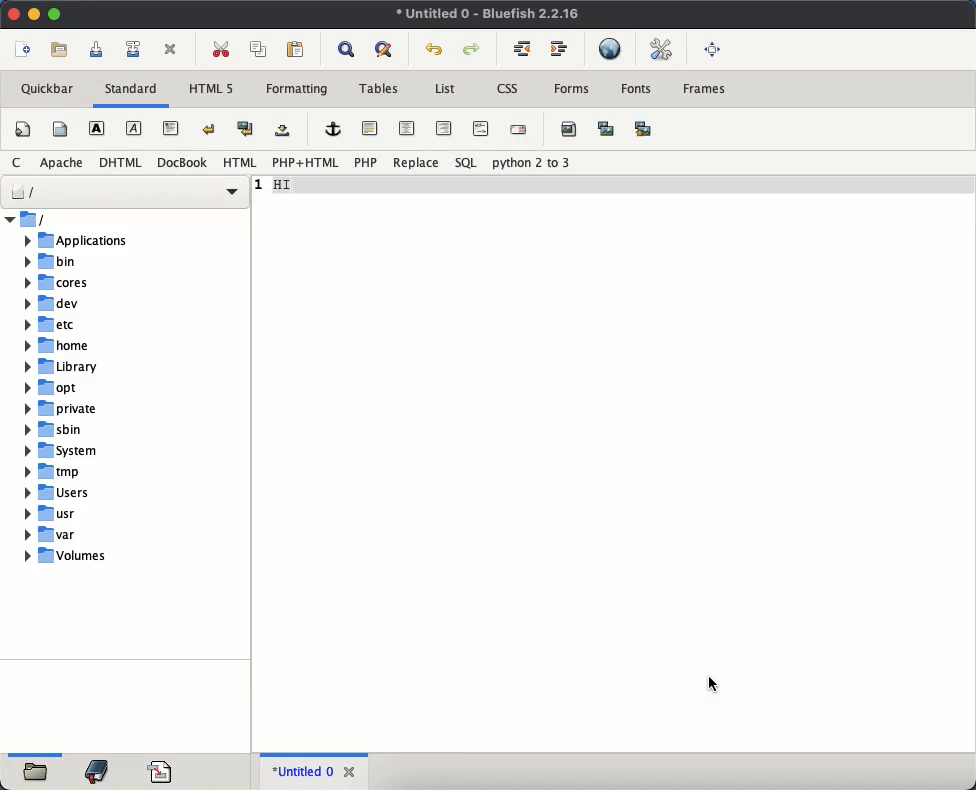  I want to click on emphasis, so click(134, 128).